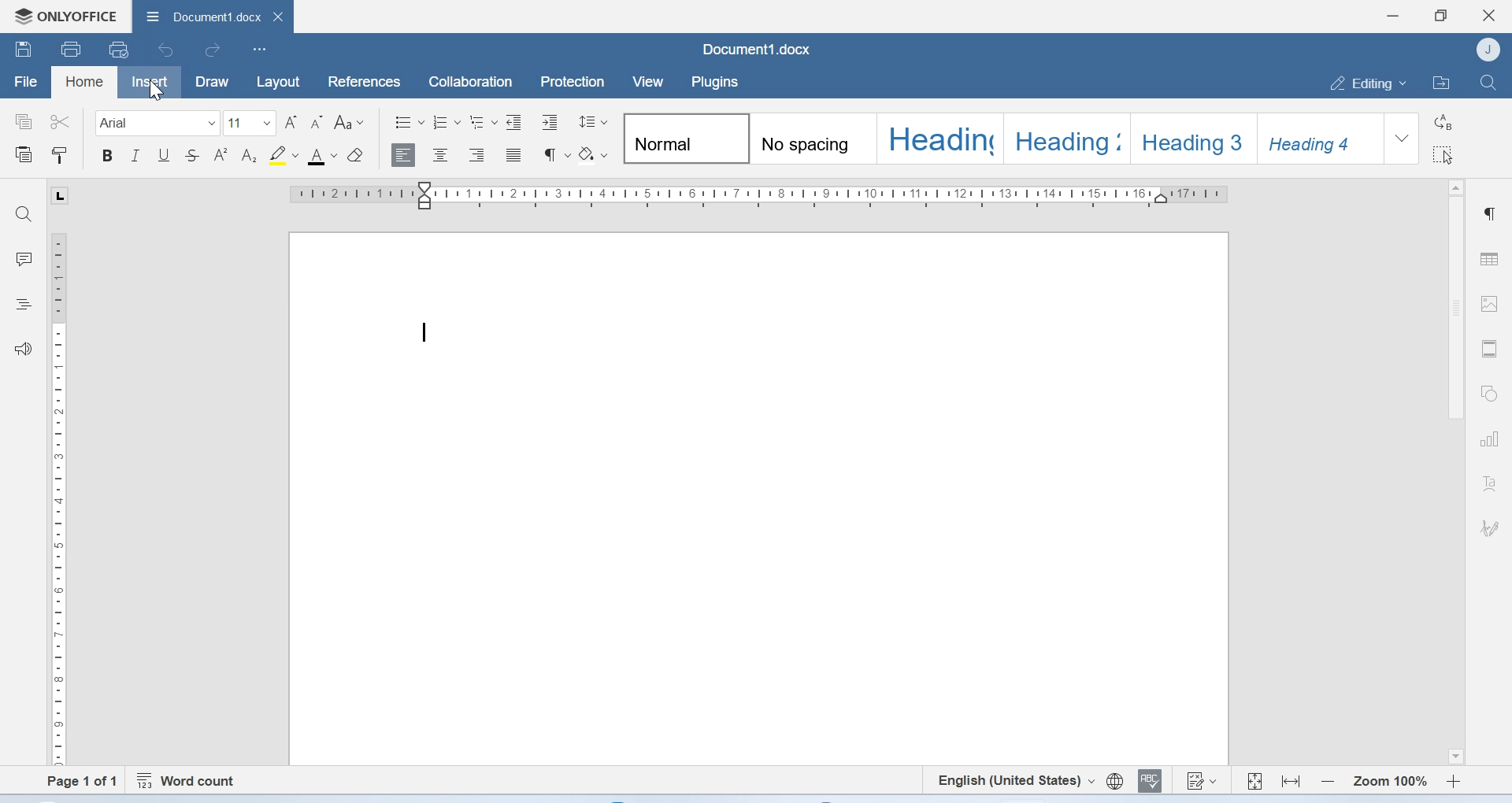  I want to click on Scrollbar, so click(1451, 314).